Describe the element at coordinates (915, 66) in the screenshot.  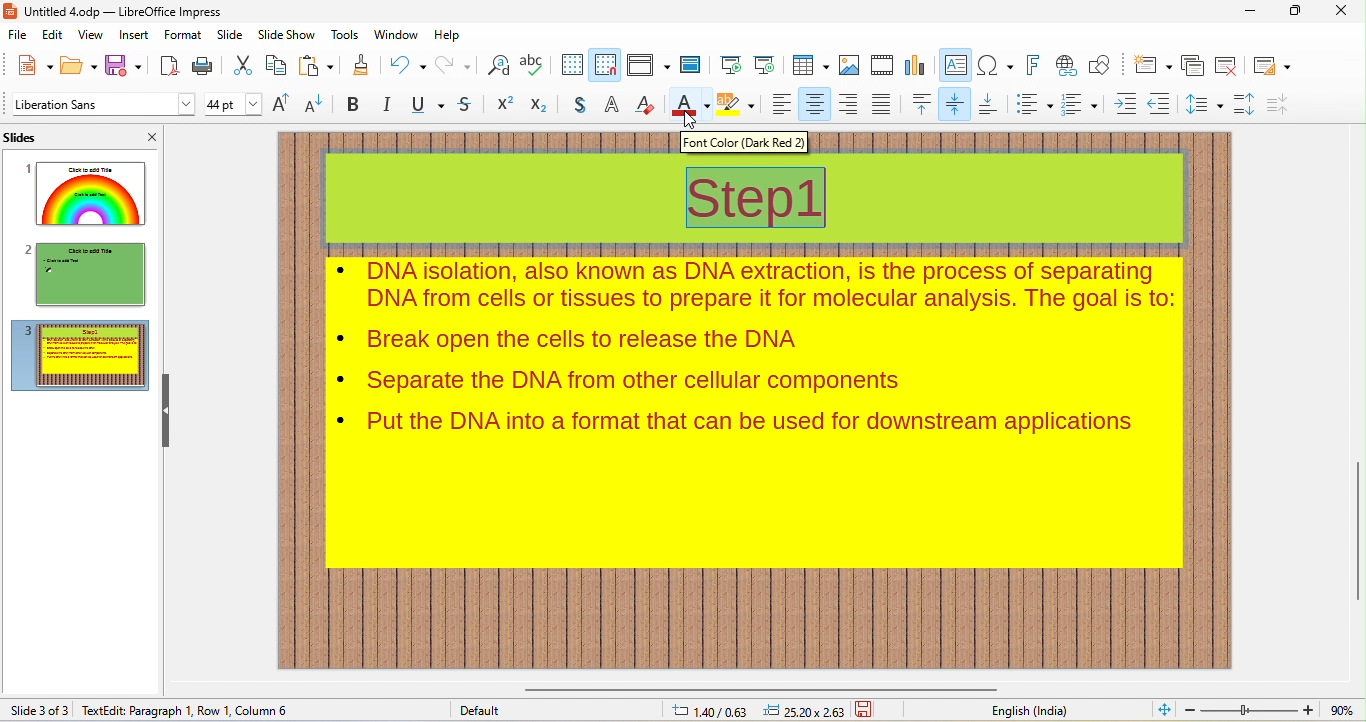
I see `chart` at that location.